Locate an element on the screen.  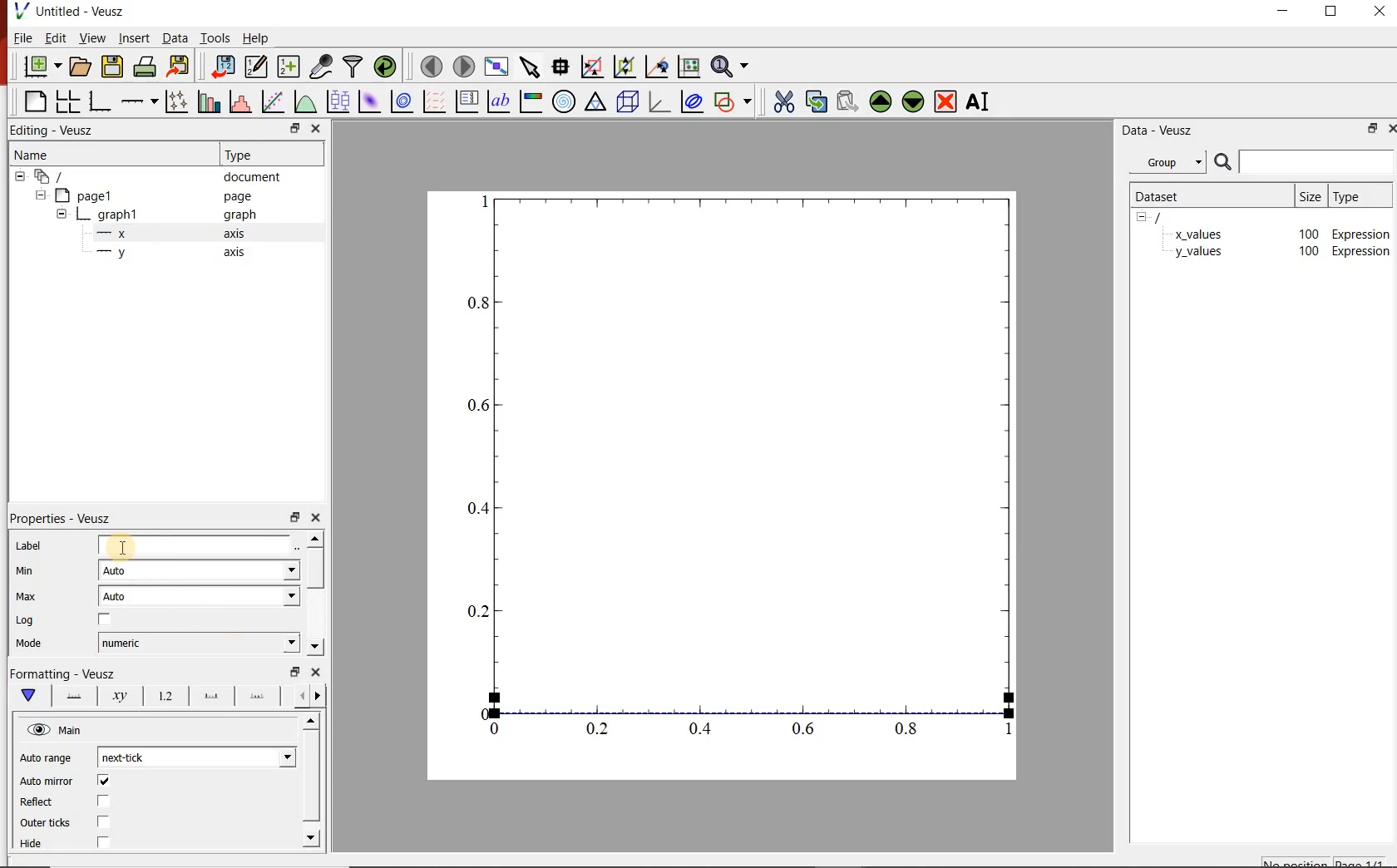
major ticks is located at coordinates (212, 696).